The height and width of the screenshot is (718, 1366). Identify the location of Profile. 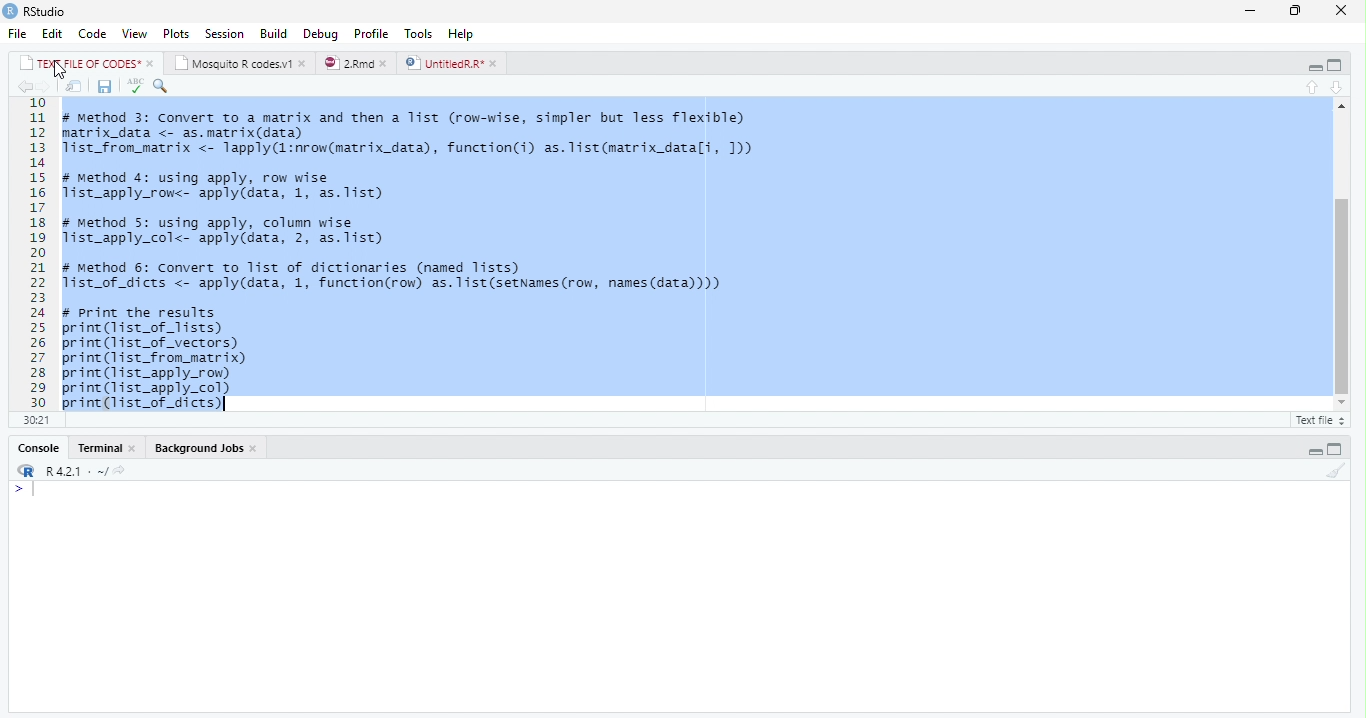
(372, 32).